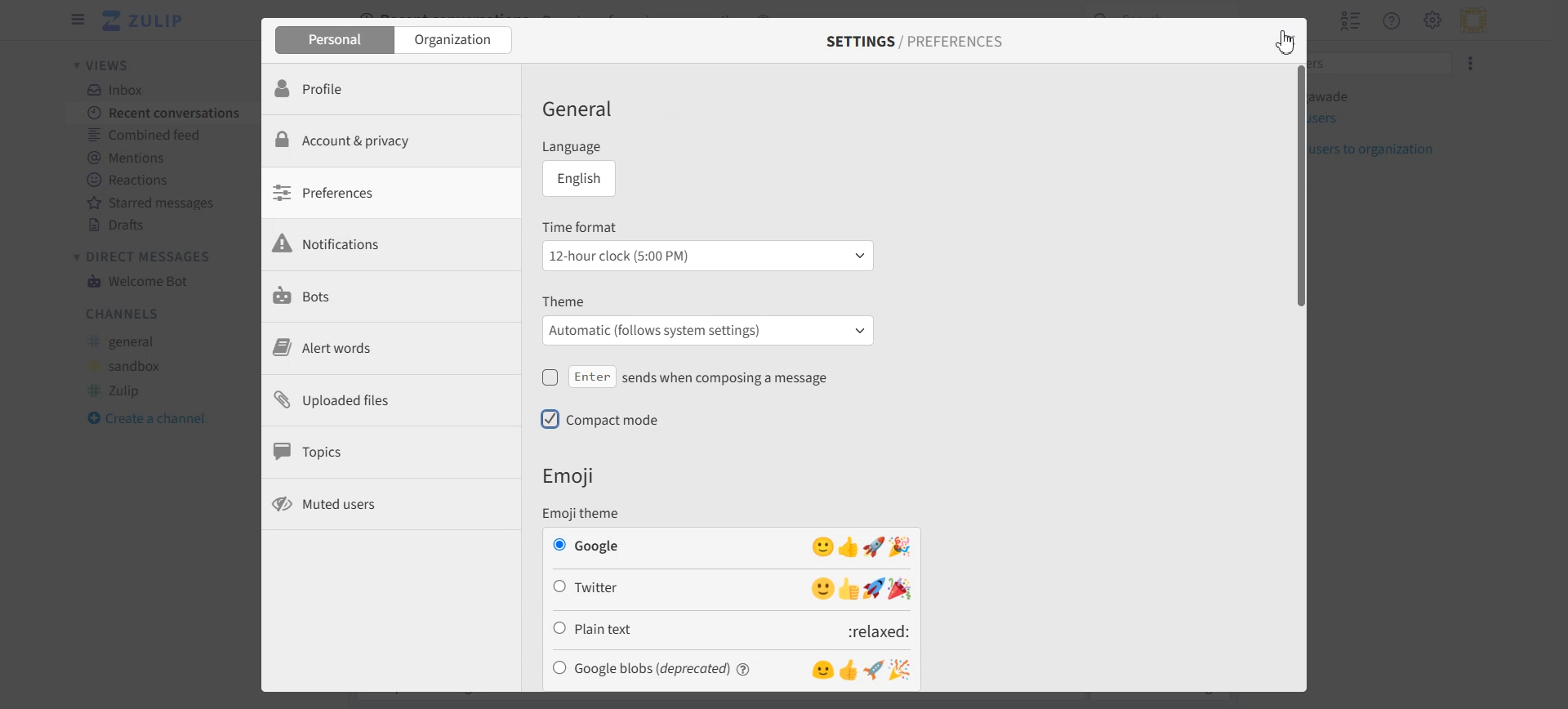  I want to click on Close, so click(1281, 38).